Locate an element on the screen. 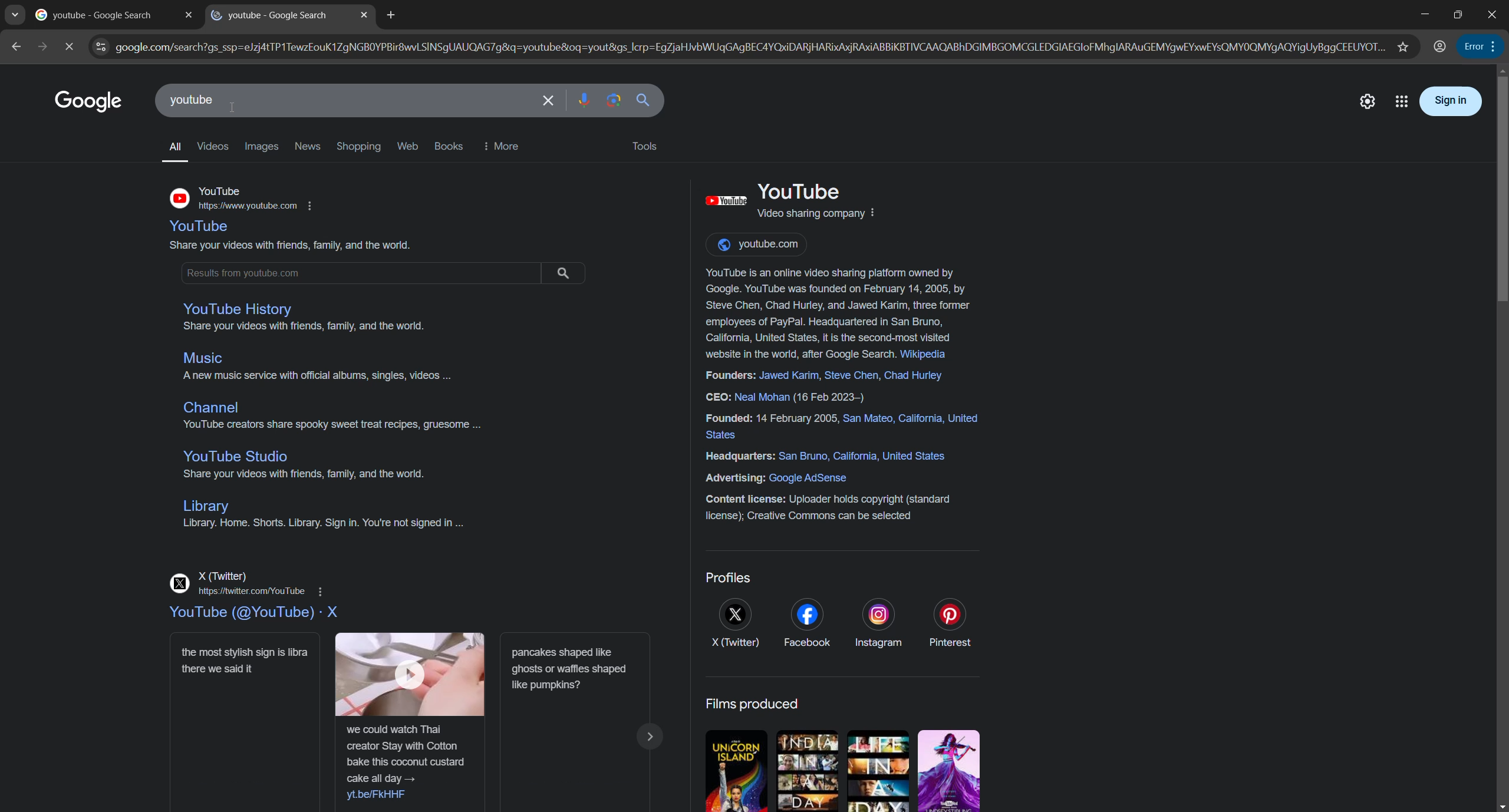  scroll bar is located at coordinates (1500, 192).